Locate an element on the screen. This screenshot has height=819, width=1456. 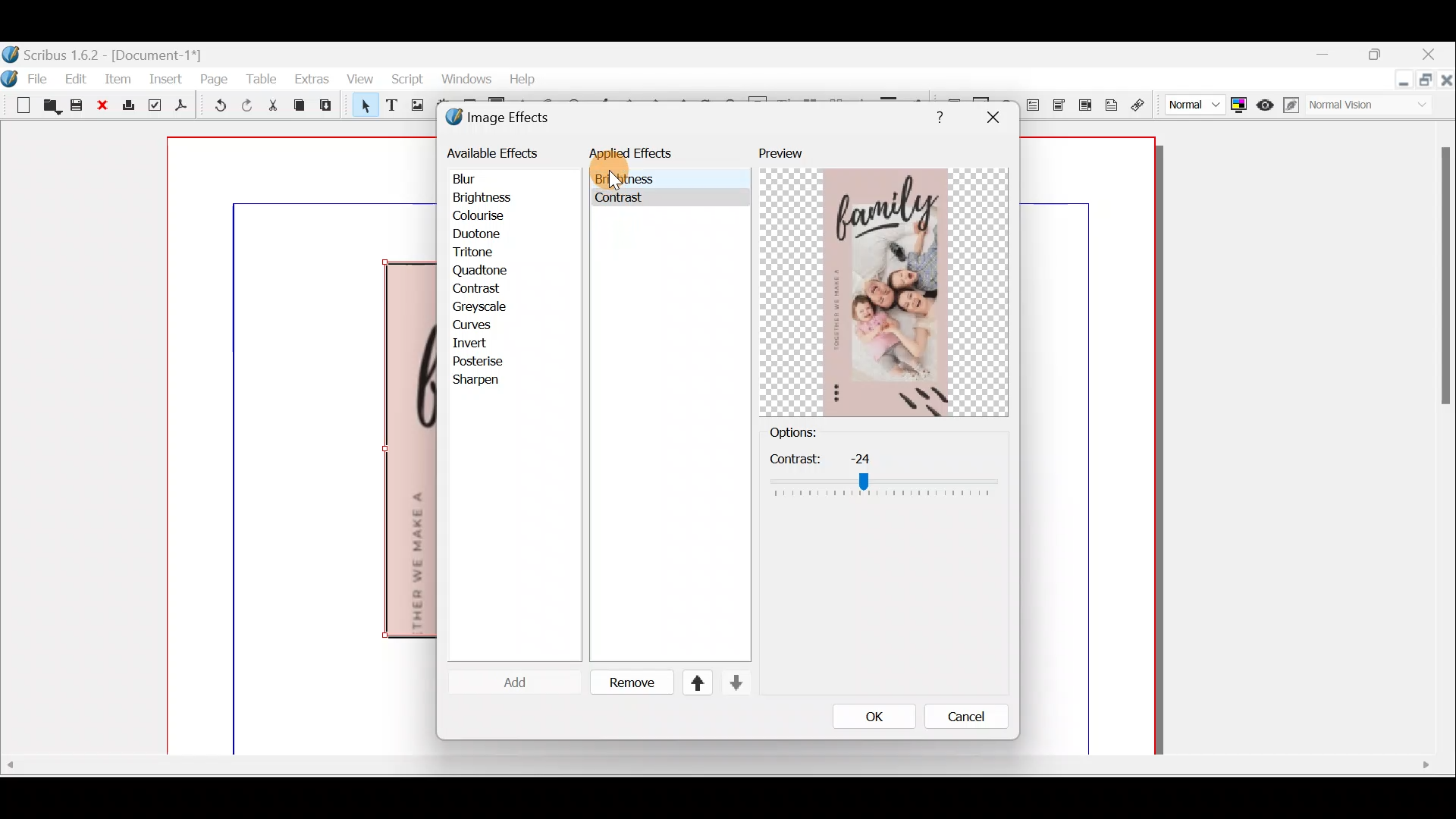
Posterise is located at coordinates (488, 360).